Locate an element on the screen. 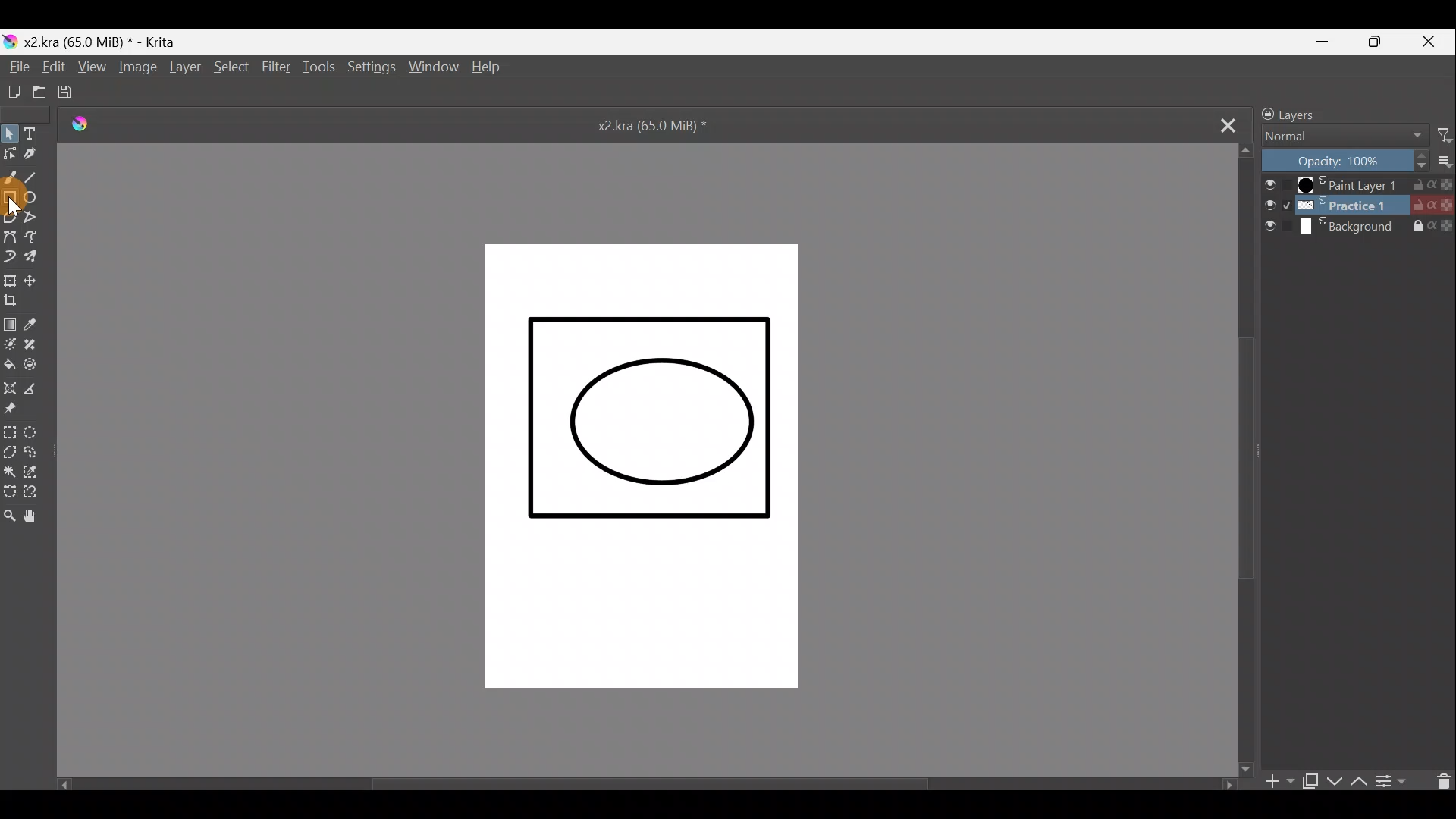 This screenshot has width=1456, height=819. Colourise mask tool is located at coordinates (9, 344).